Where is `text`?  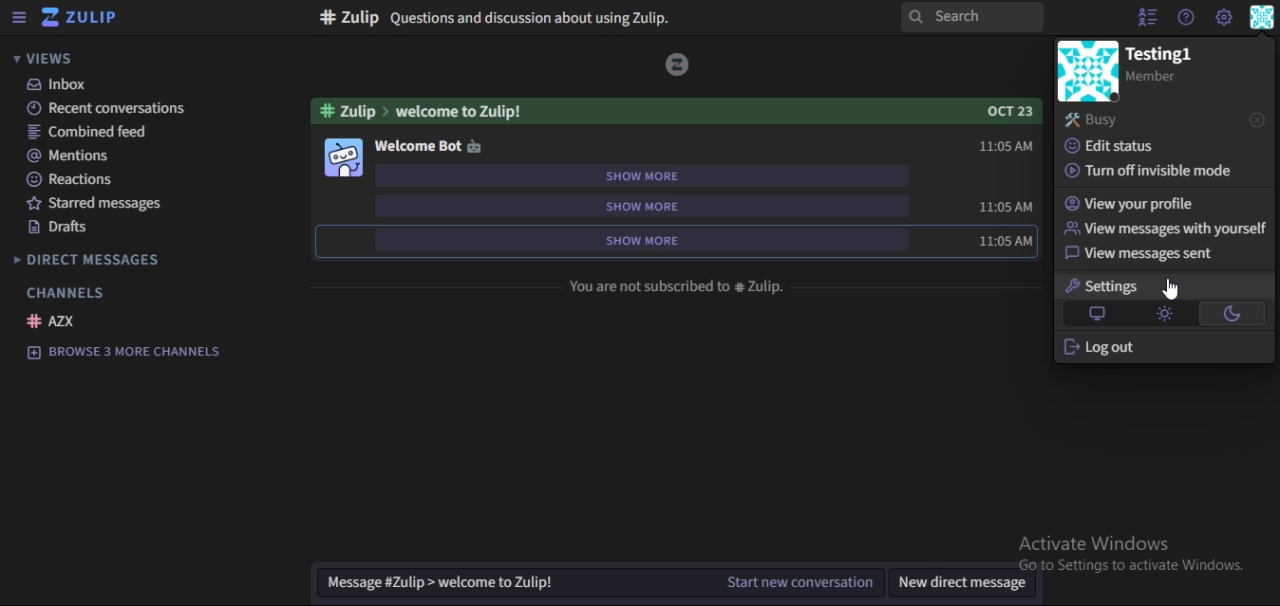 text is located at coordinates (489, 19).